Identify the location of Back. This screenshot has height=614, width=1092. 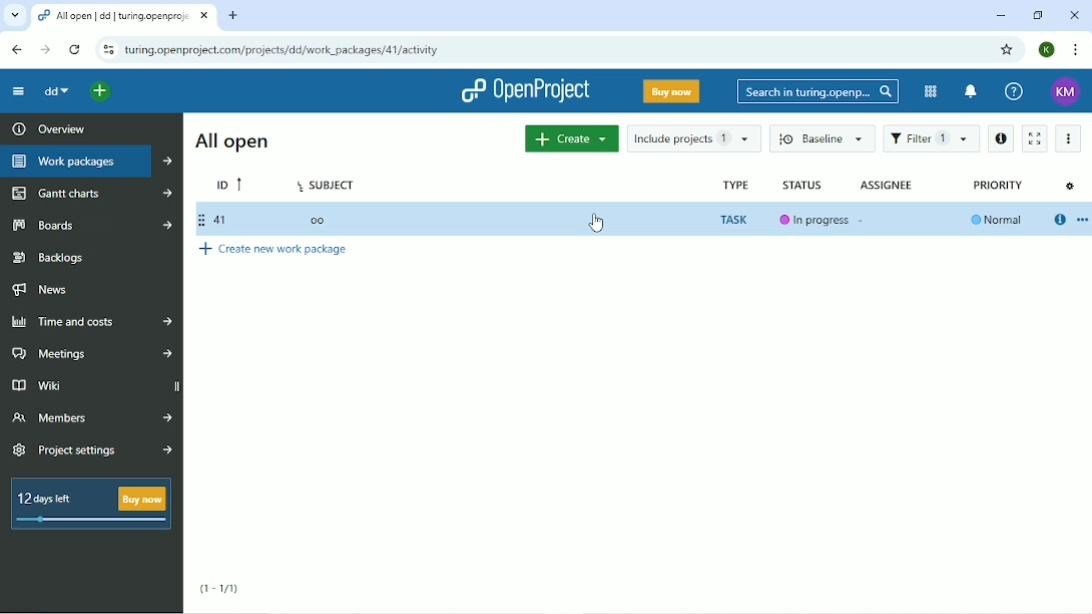
(16, 50).